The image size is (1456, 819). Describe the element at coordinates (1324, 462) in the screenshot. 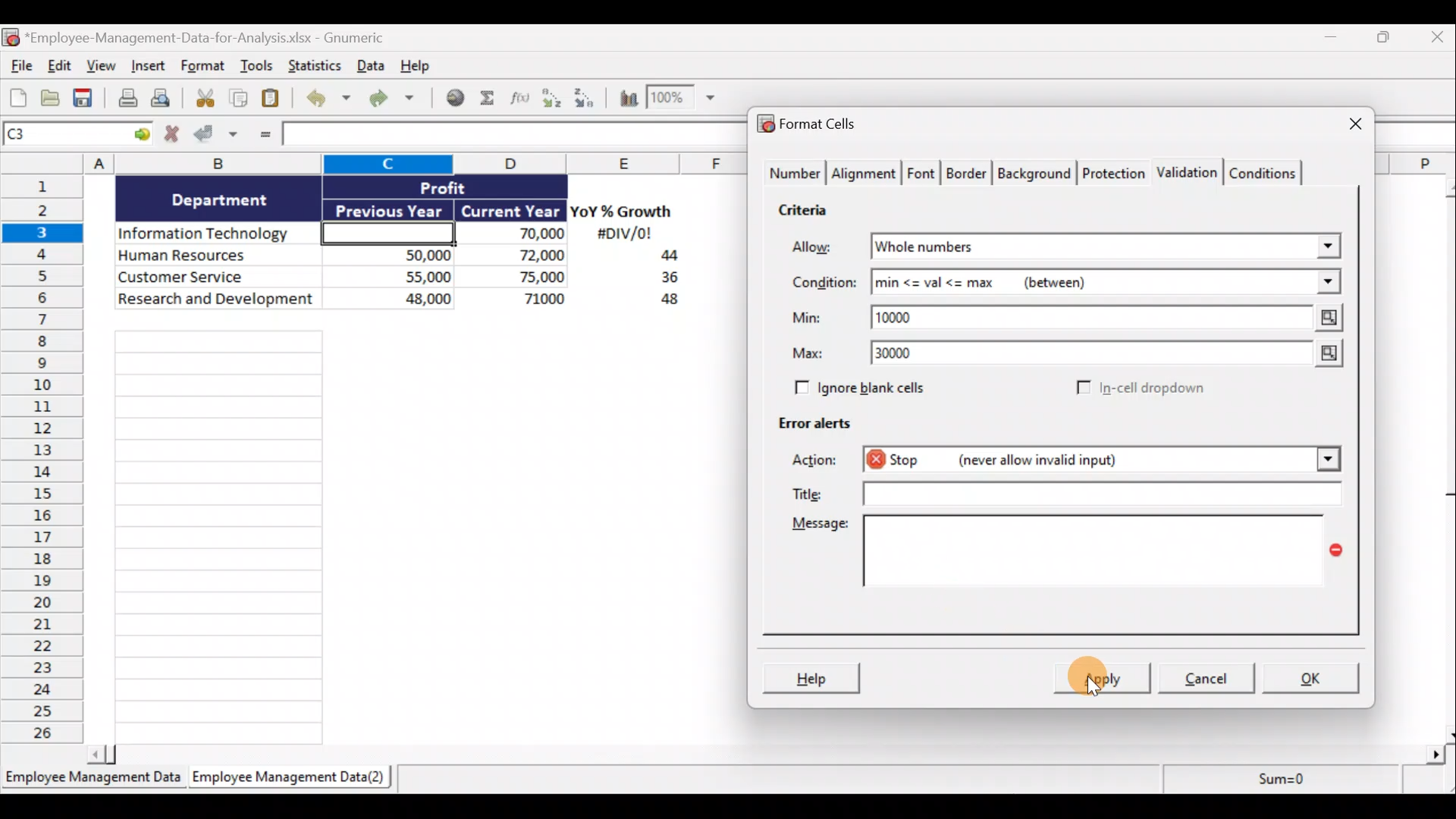

I see `Actions drop down` at that location.